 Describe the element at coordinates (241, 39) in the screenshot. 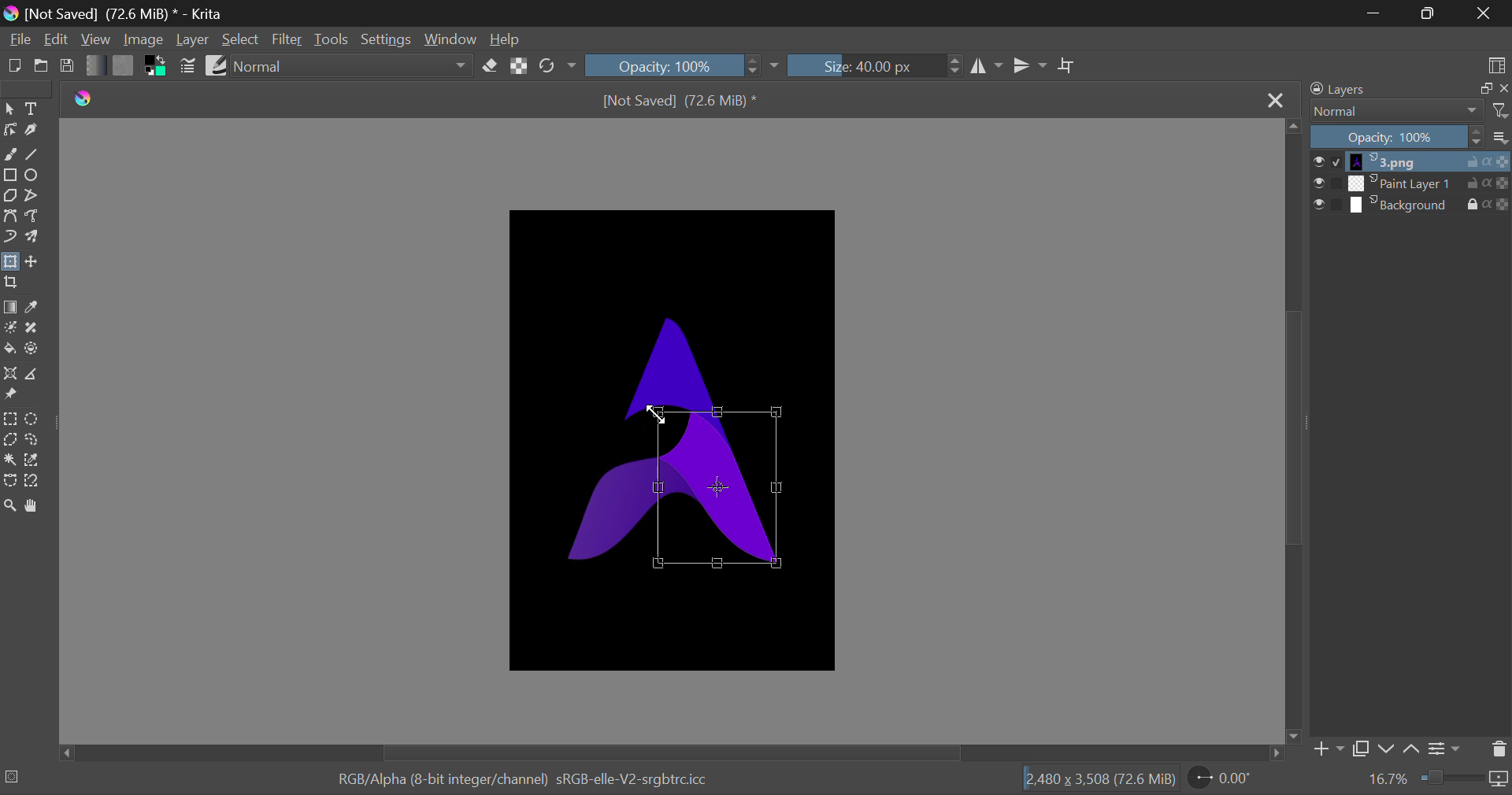

I see `Select` at that location.